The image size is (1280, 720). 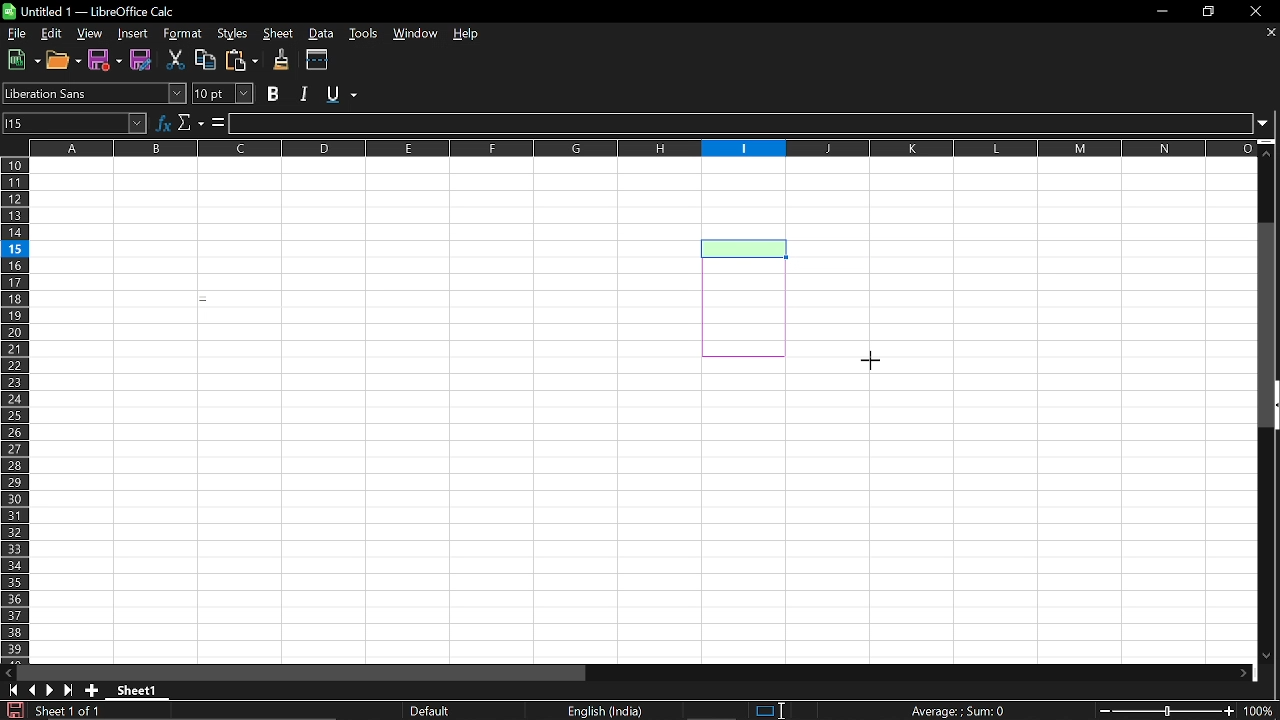 I want to click on Columns, so click(x=642, y=148).